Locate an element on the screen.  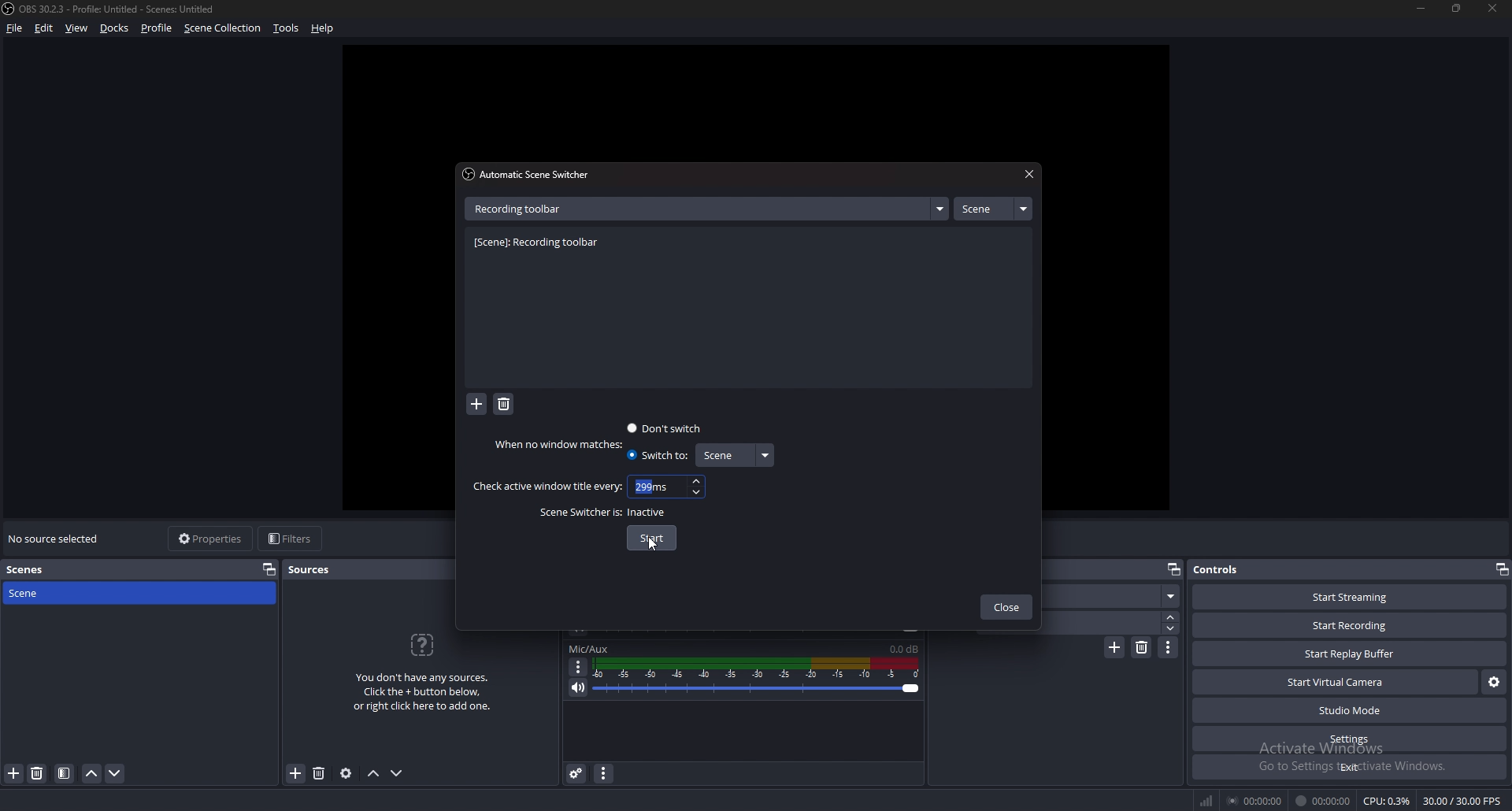
add transition is located at coordinates (1114, 647).